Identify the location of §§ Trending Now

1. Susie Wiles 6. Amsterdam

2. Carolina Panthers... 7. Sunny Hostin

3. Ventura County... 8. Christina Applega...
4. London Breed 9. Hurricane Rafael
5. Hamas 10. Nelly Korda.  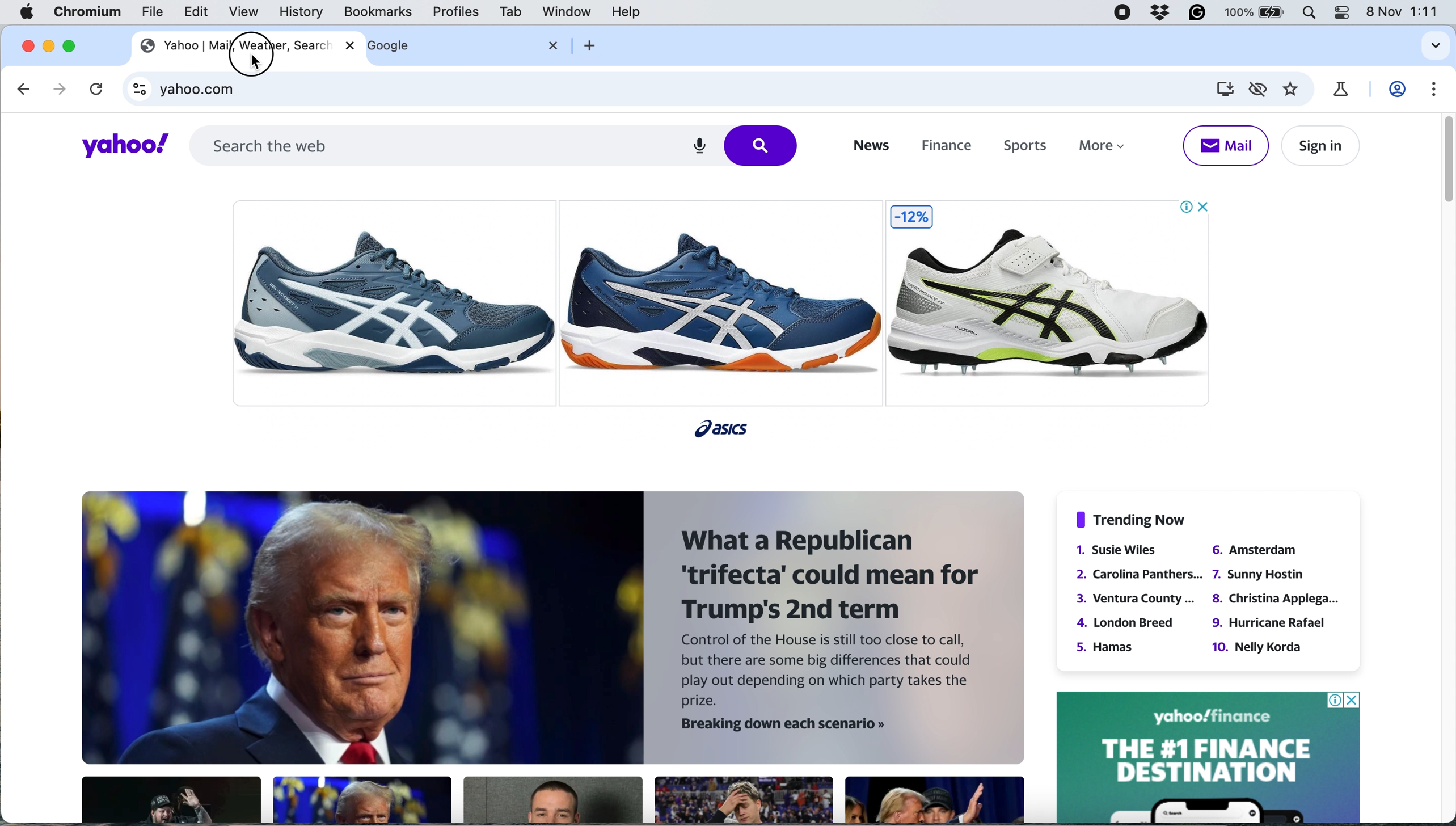
(1203, 585).